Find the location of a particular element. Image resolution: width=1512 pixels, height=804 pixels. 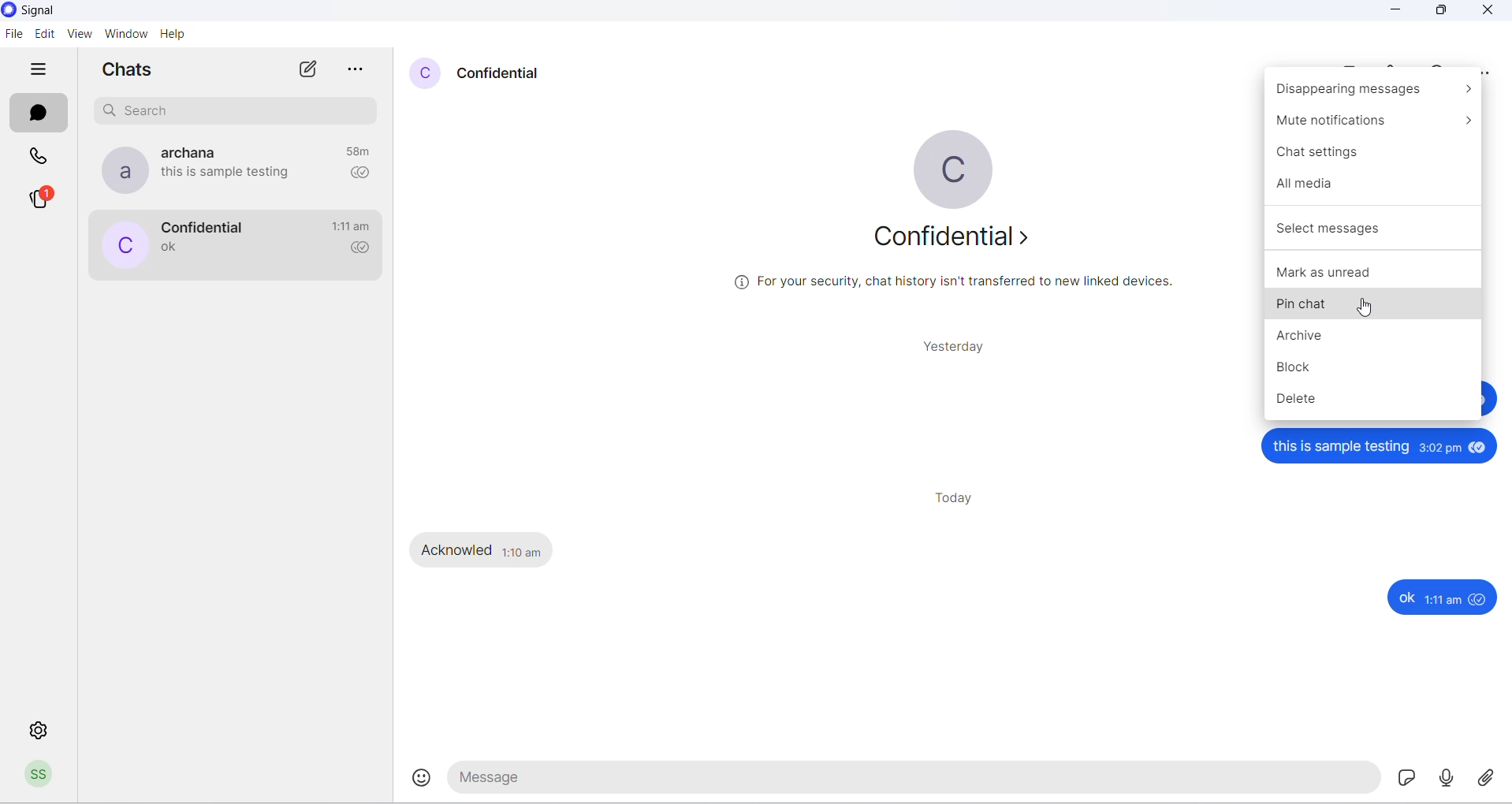

profile picture is located at coordinates (122, 244).